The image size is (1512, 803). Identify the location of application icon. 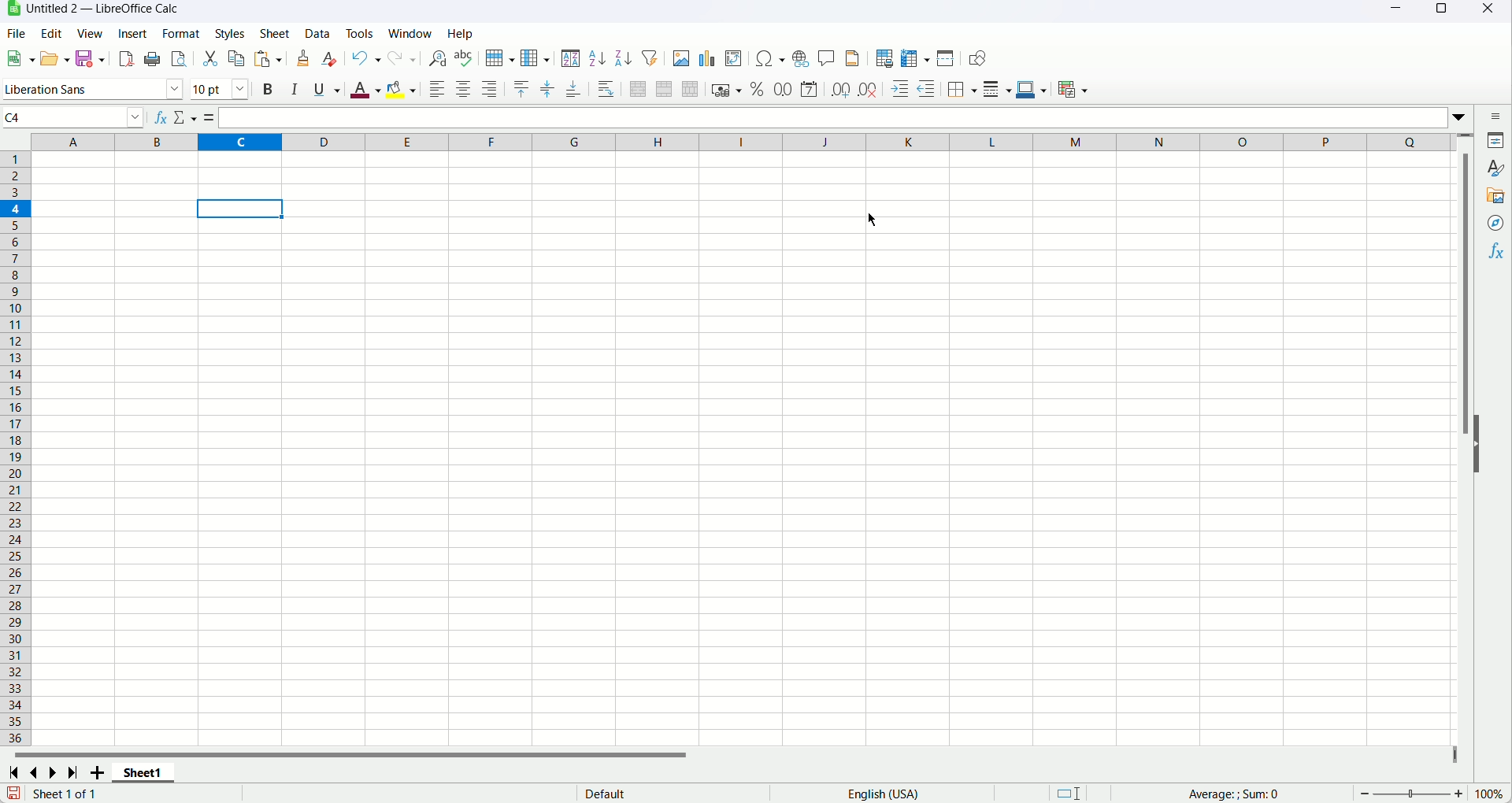
(13, 9).